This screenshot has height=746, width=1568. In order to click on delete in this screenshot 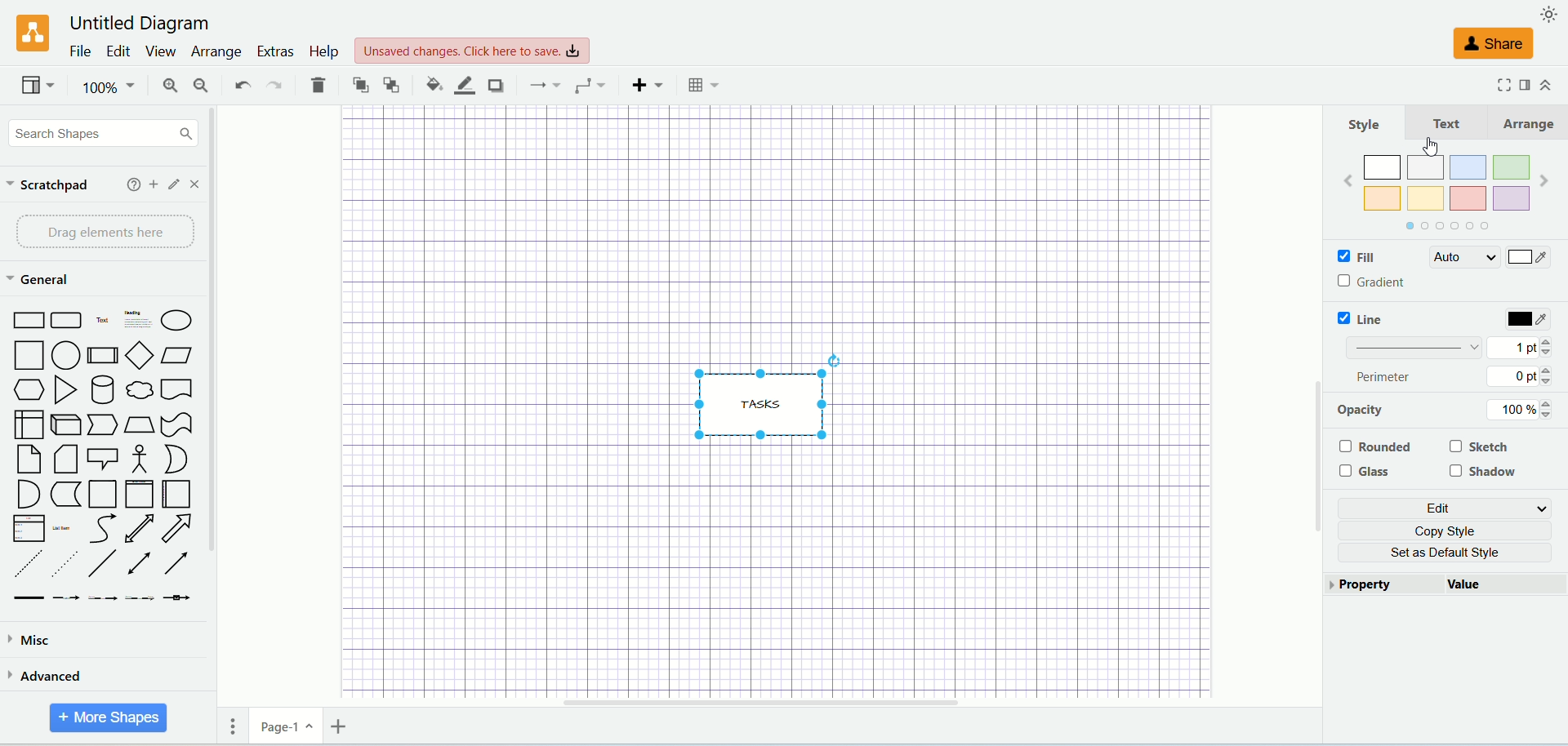, I will do `click(318, 84)`.